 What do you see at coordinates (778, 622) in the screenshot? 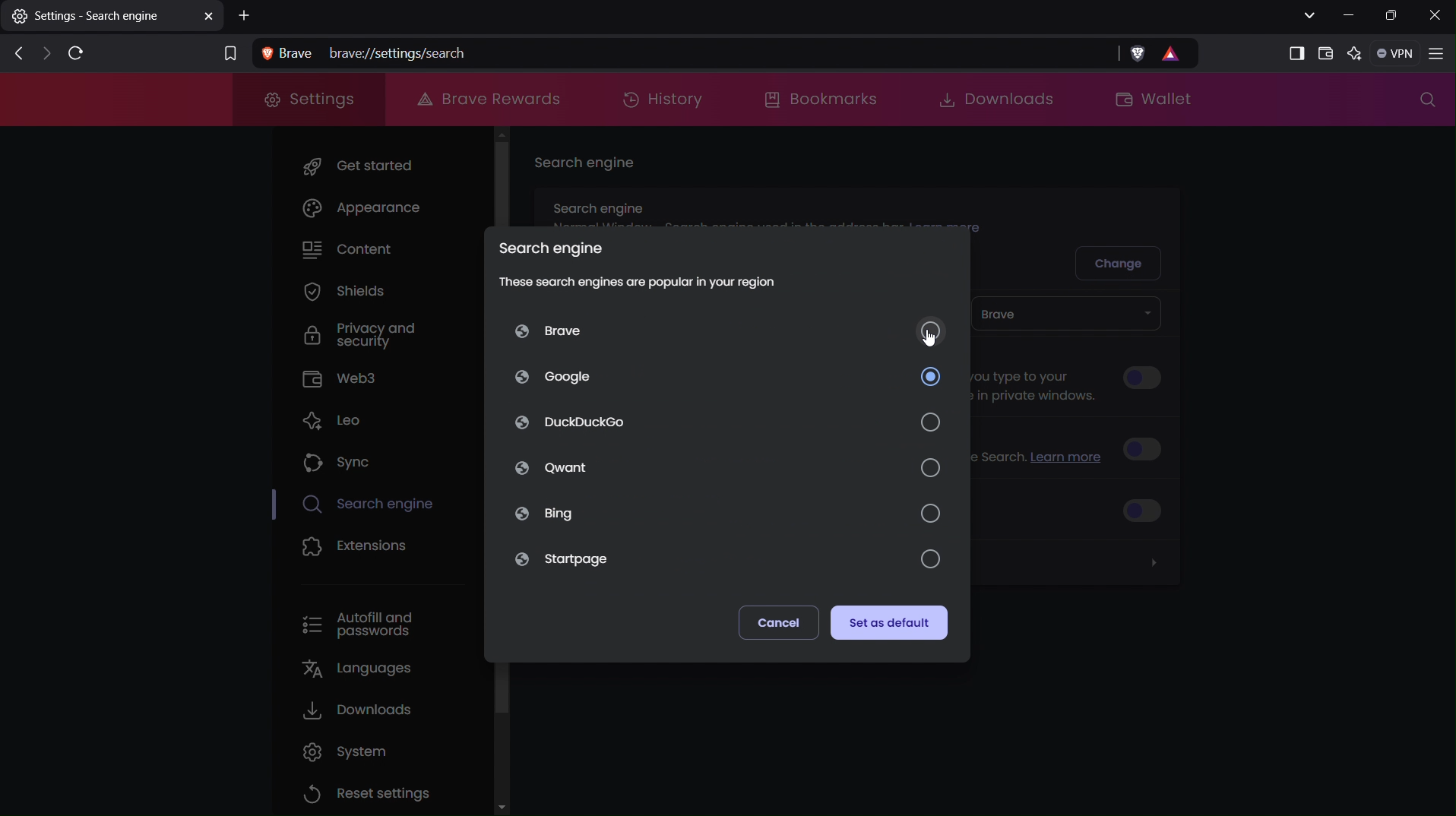
I see `Cancel` at bounding box center [778, 622].